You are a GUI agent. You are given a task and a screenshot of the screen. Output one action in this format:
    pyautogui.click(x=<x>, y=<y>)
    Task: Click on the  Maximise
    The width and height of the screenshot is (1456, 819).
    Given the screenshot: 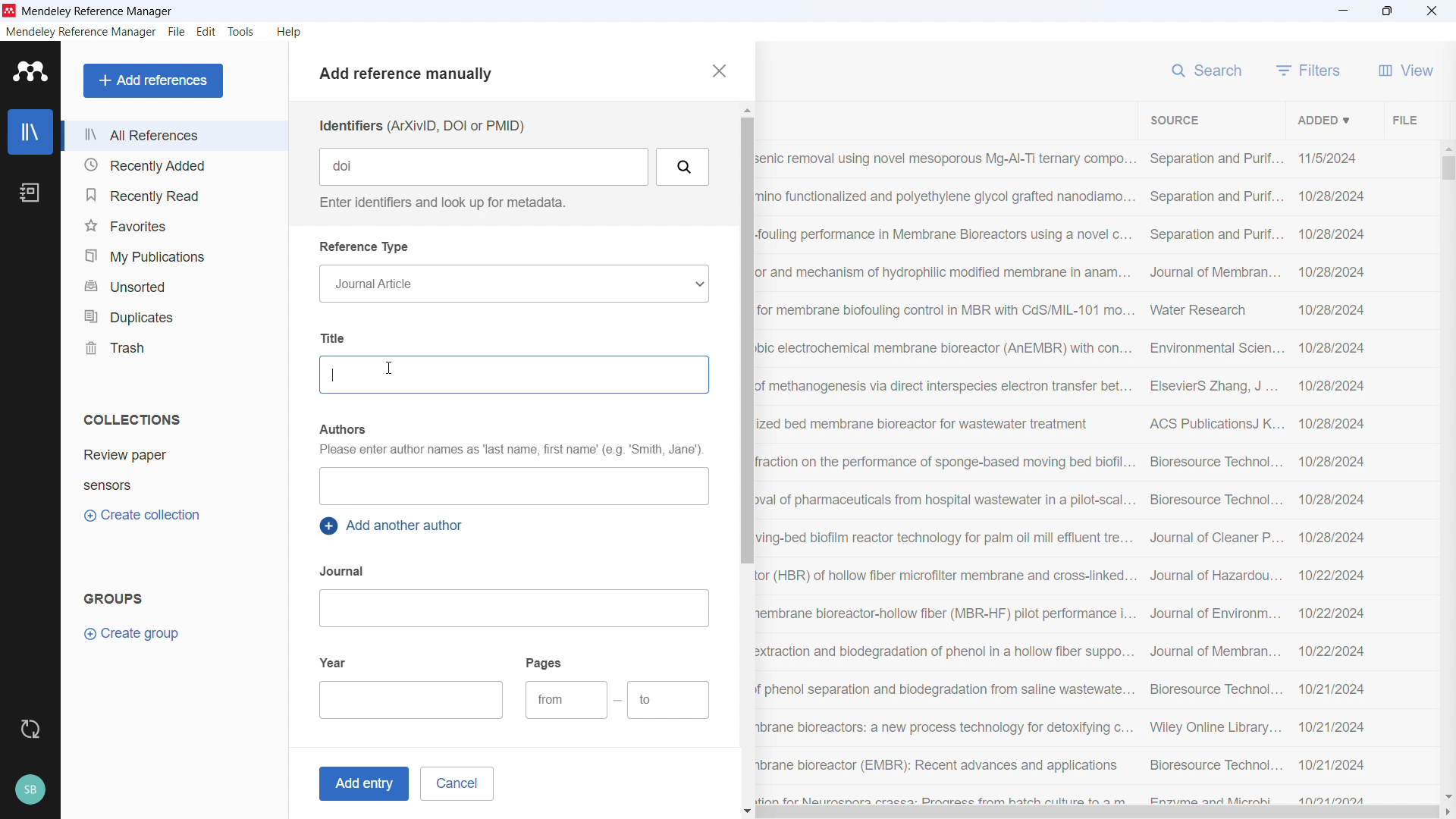 What is the action you would take?
    pyautogui.click(x=1388, y=11)
    